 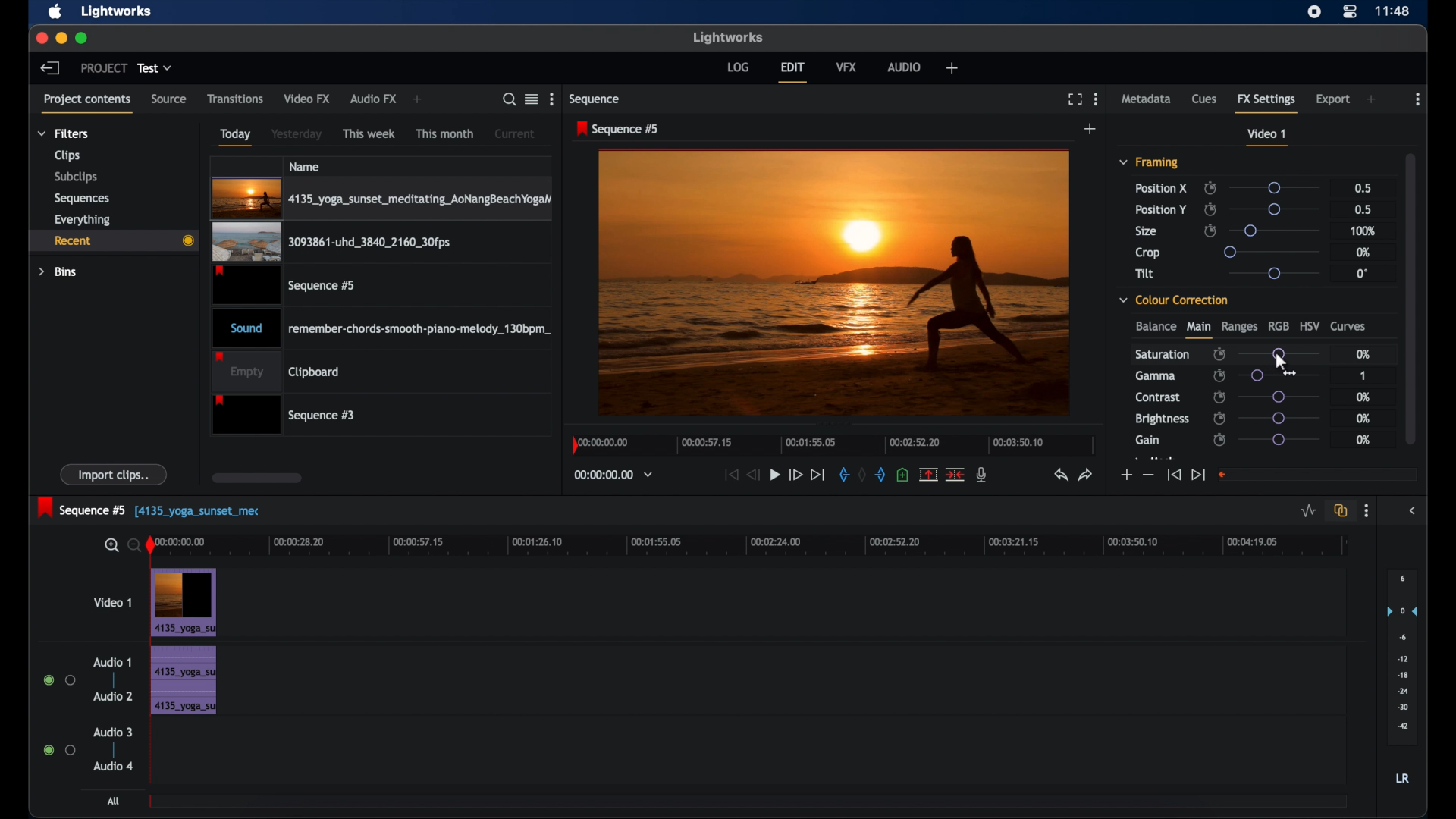 I want to click on add, so click(x=1090, y=129).